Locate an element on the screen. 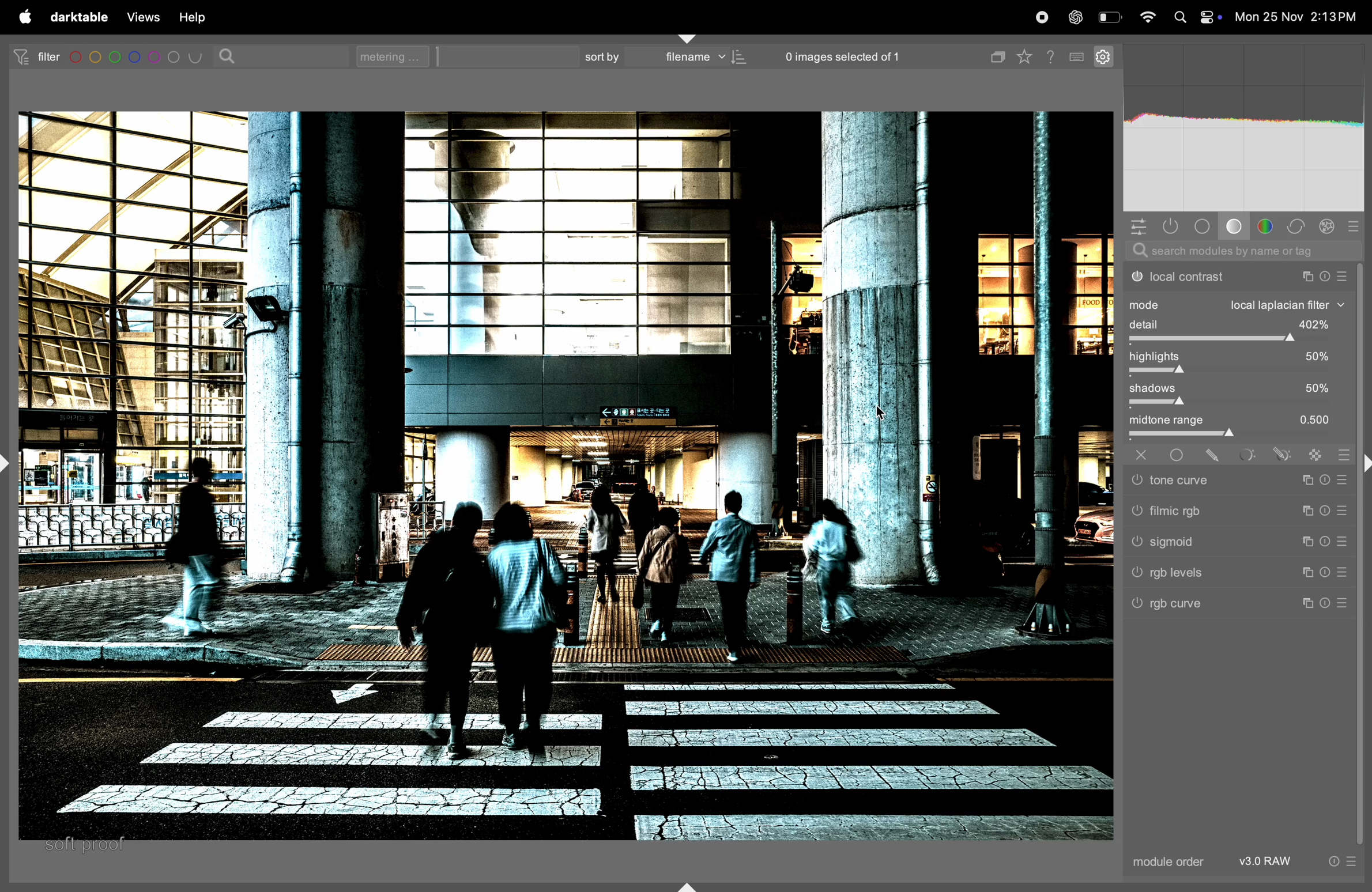  preset is located at coordinates (1343, 573).